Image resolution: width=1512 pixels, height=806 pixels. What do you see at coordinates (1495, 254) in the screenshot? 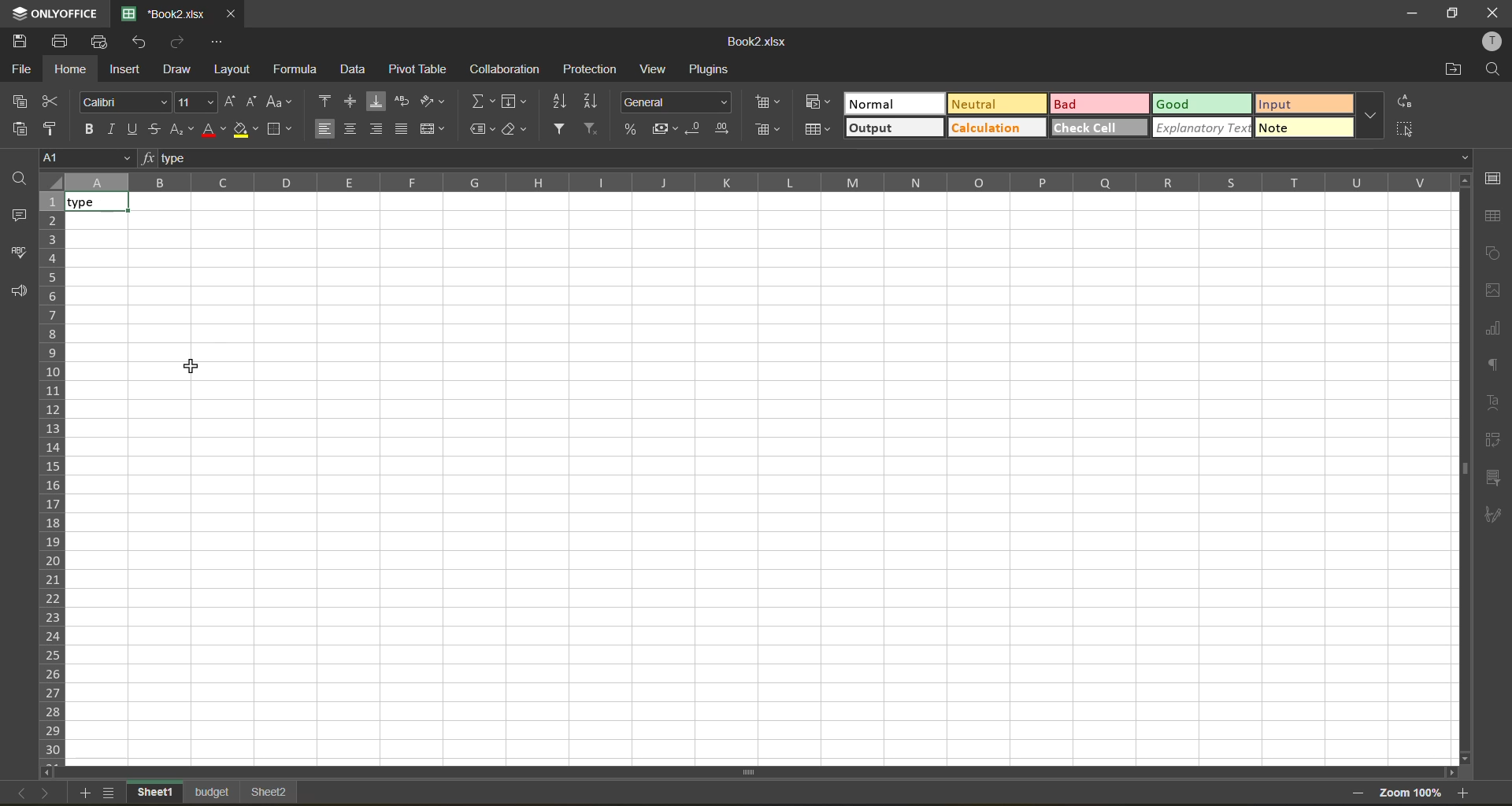
I see `shapes` at bounding box center [1495, 254].